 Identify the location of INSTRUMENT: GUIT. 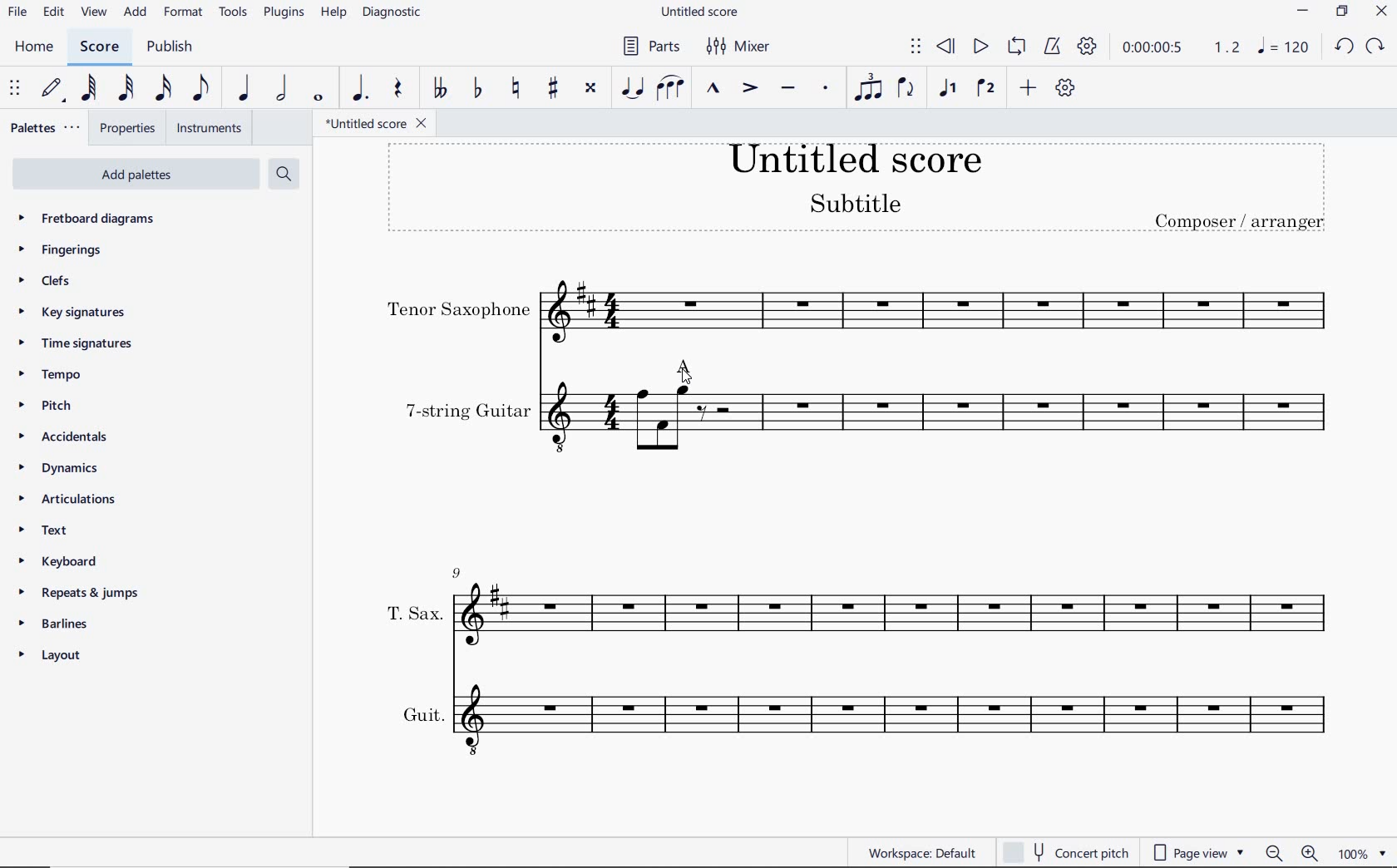
(862, 718).